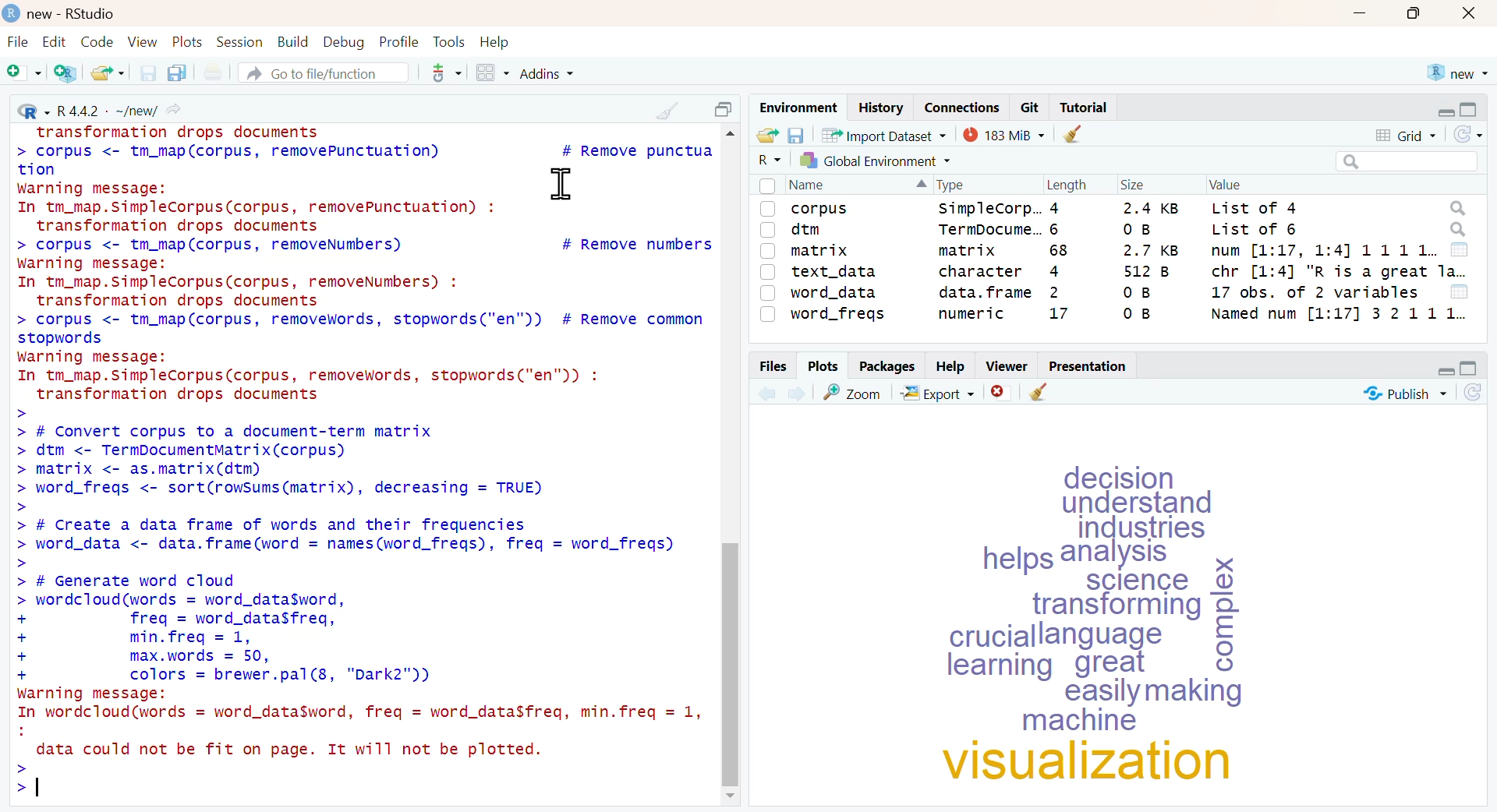 The width and height of the screenshot is (1497, 812). Describe the element at coordinates (1066, 185) in the screenshot. I see `Length` at that location.